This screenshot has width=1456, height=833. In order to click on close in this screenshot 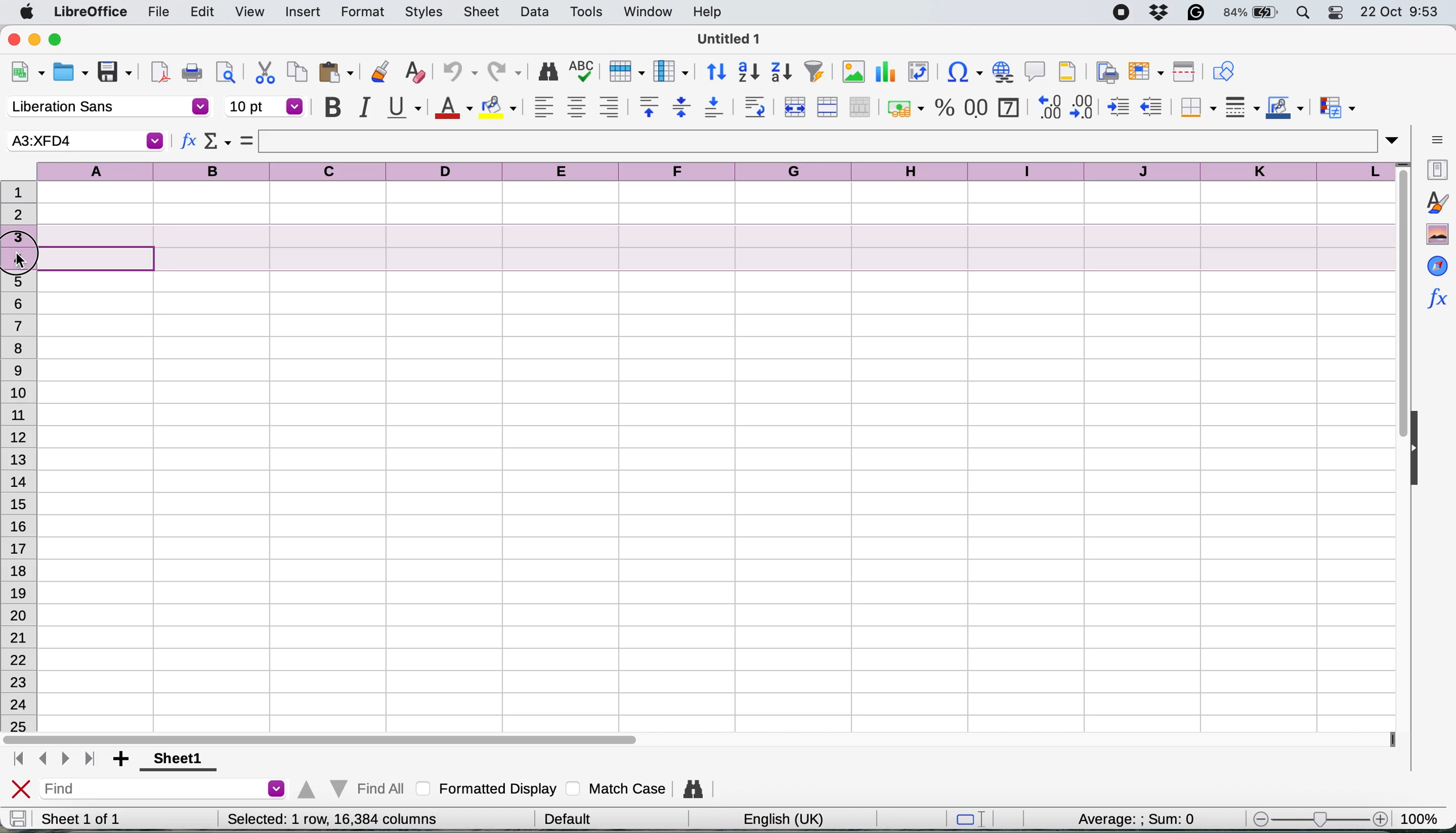, I will do `click(14, 38)`.